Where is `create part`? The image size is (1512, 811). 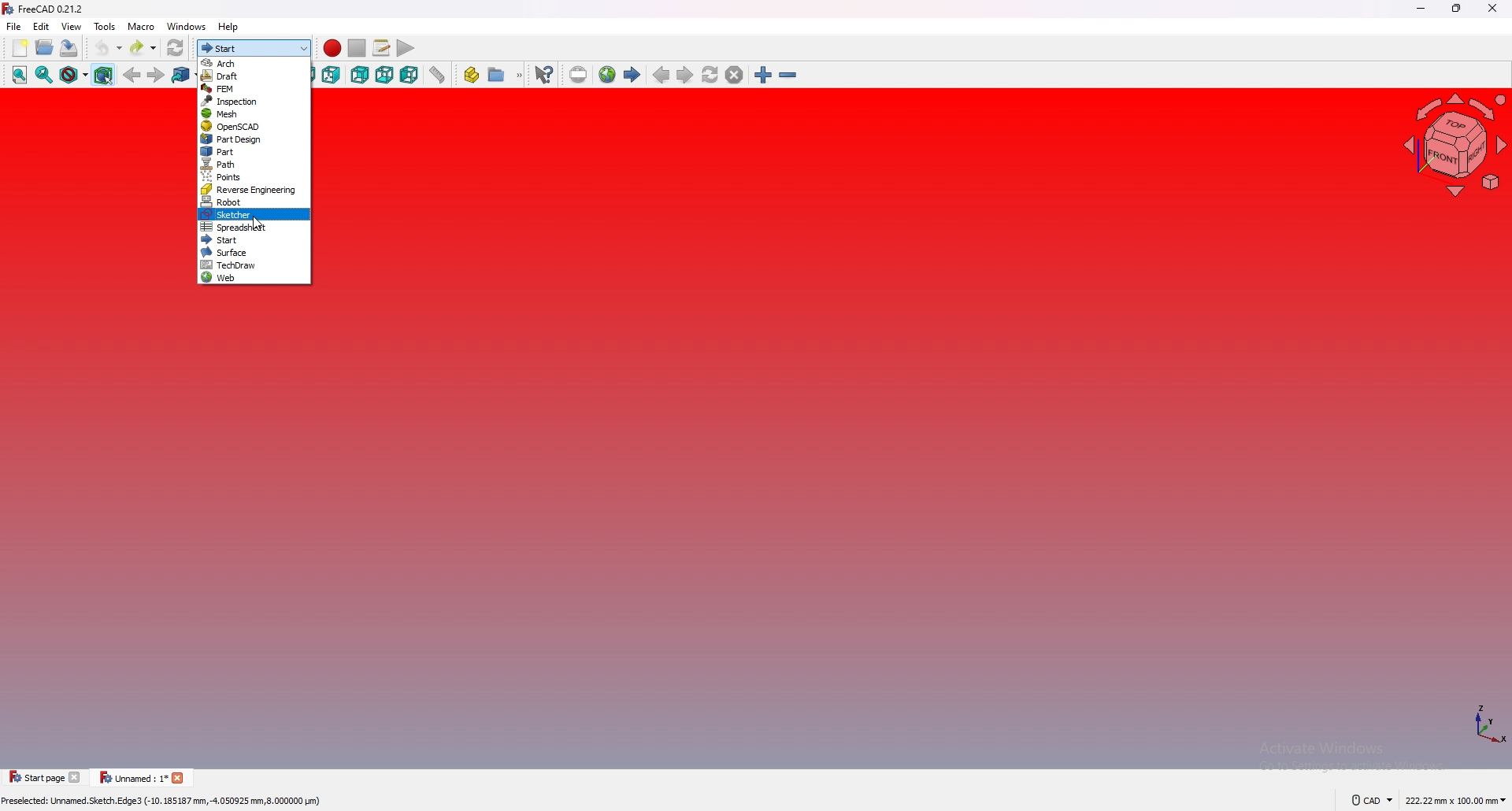
create part is located at coordinates (472, 76).